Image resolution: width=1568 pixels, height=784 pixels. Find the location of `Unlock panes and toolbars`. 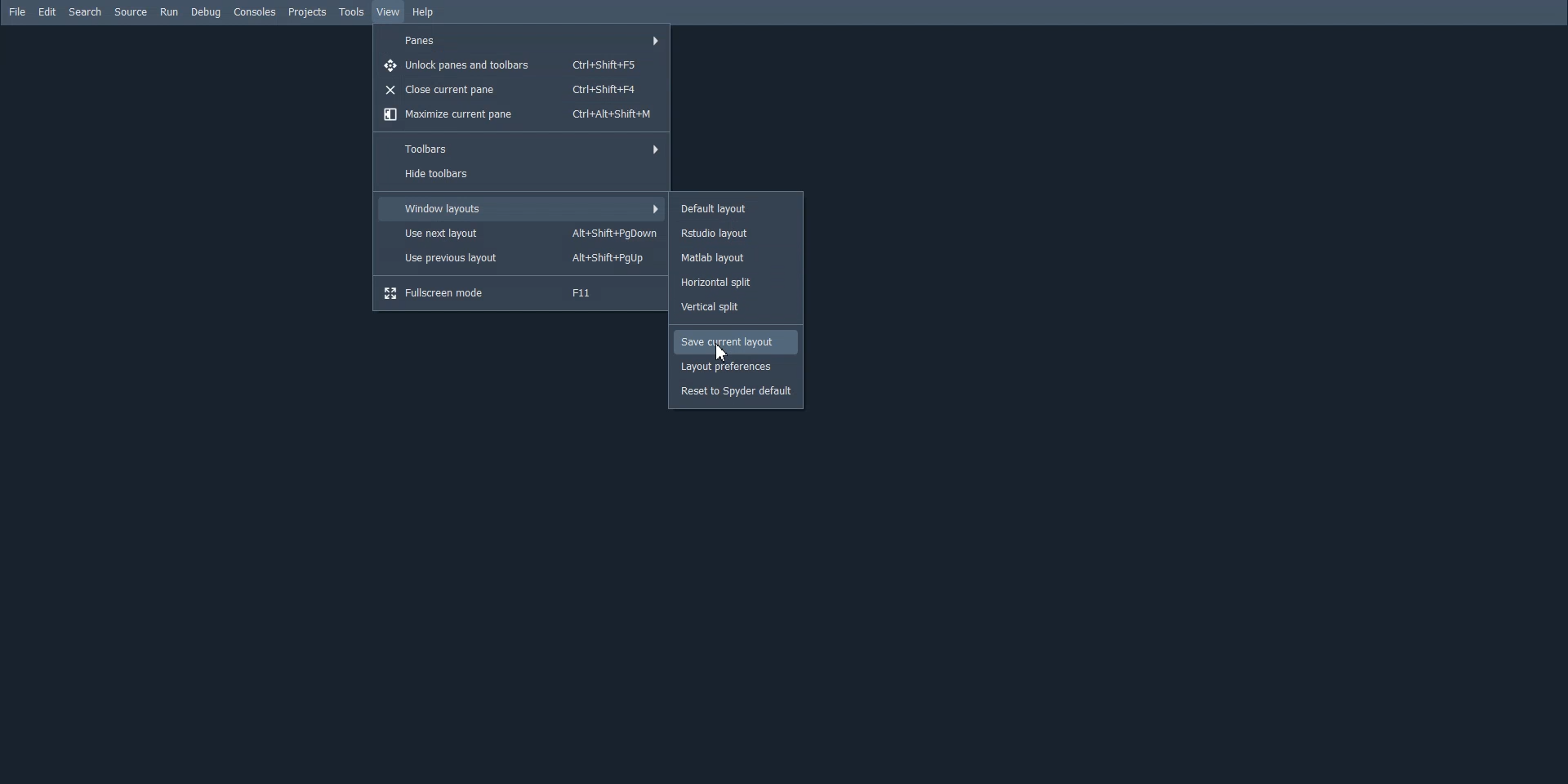

Unlock panes and toolbars is located at coordinates (522, 64).